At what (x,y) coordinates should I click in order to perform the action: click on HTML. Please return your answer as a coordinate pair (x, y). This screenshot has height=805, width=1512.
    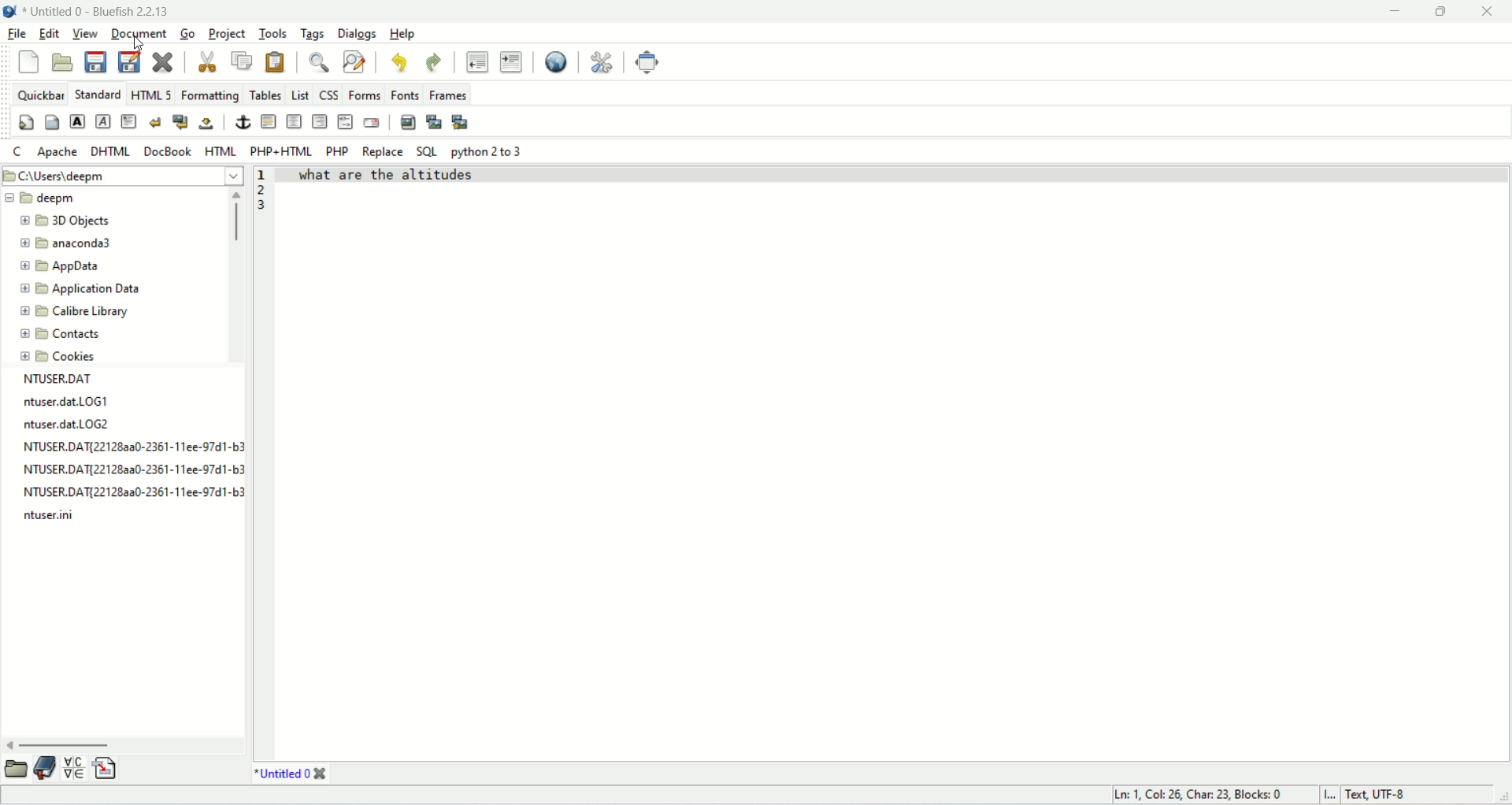
    Looking at the image, I should click on (219, 150).